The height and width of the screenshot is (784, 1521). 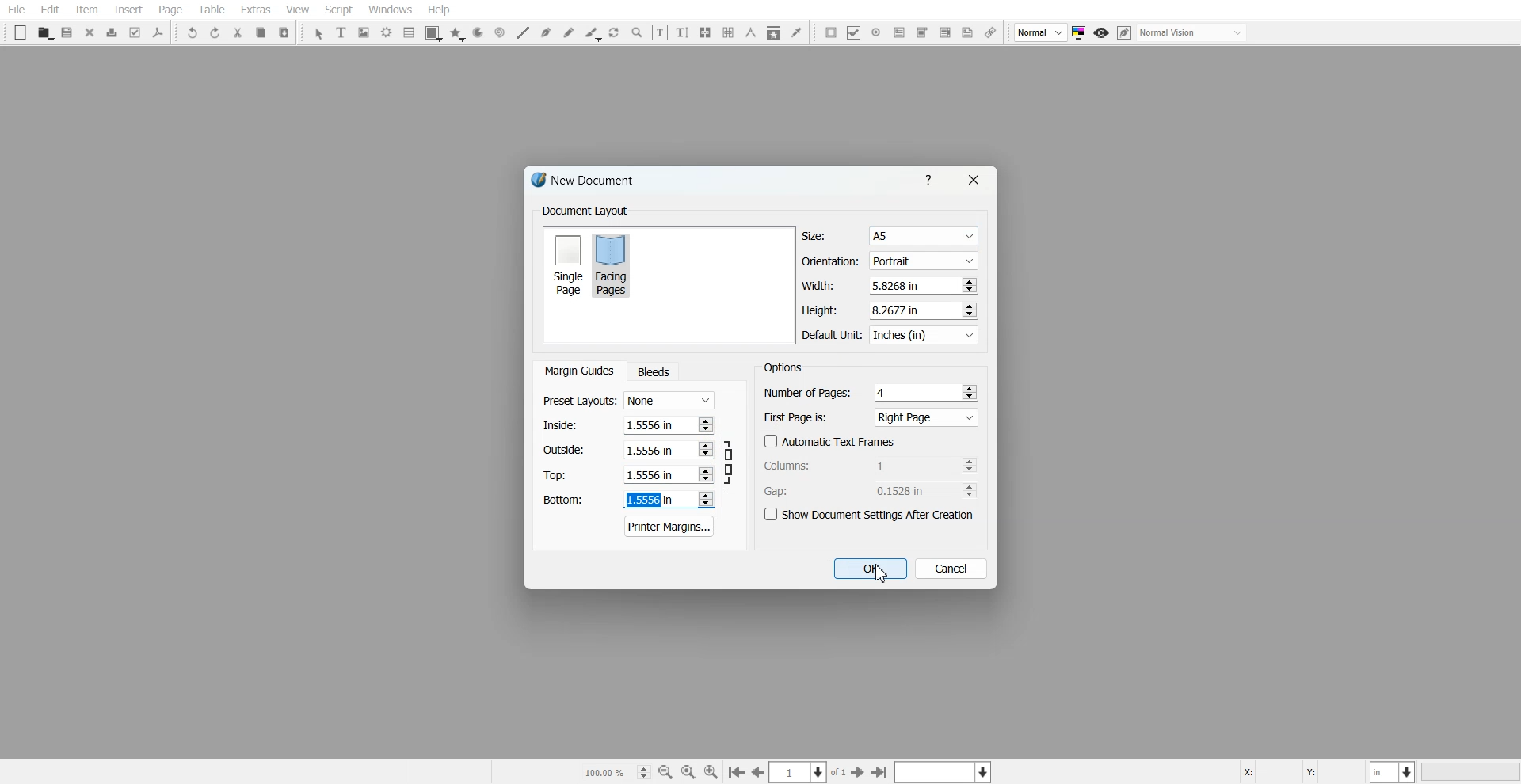 What do you see at coordinates (616, 33) in the screenshot?
I see `Rotate Item` at bounding box center [616, 33].